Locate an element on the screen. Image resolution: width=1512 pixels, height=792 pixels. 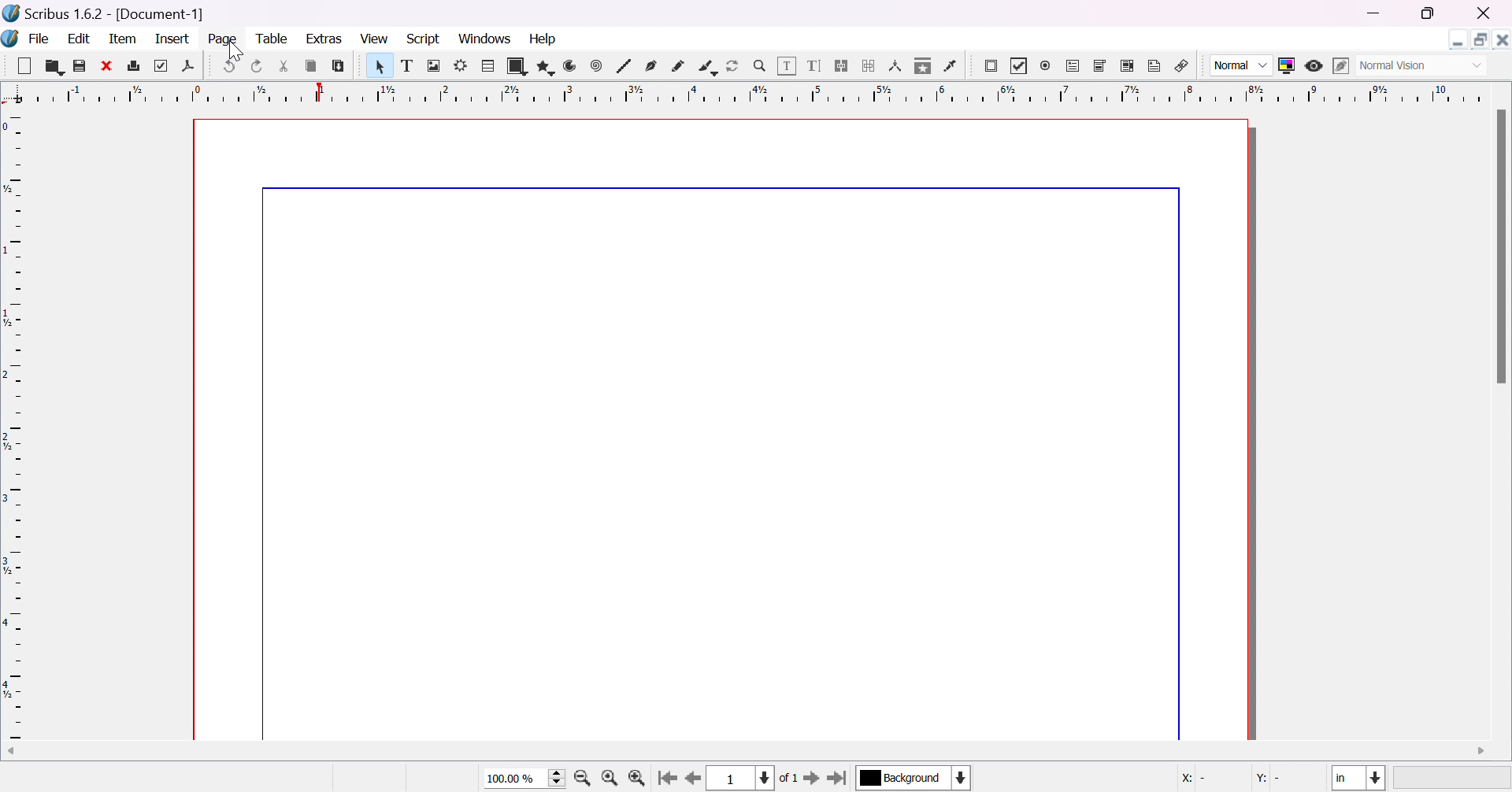
edit in preview mode is located at coordinates (1341, 65).